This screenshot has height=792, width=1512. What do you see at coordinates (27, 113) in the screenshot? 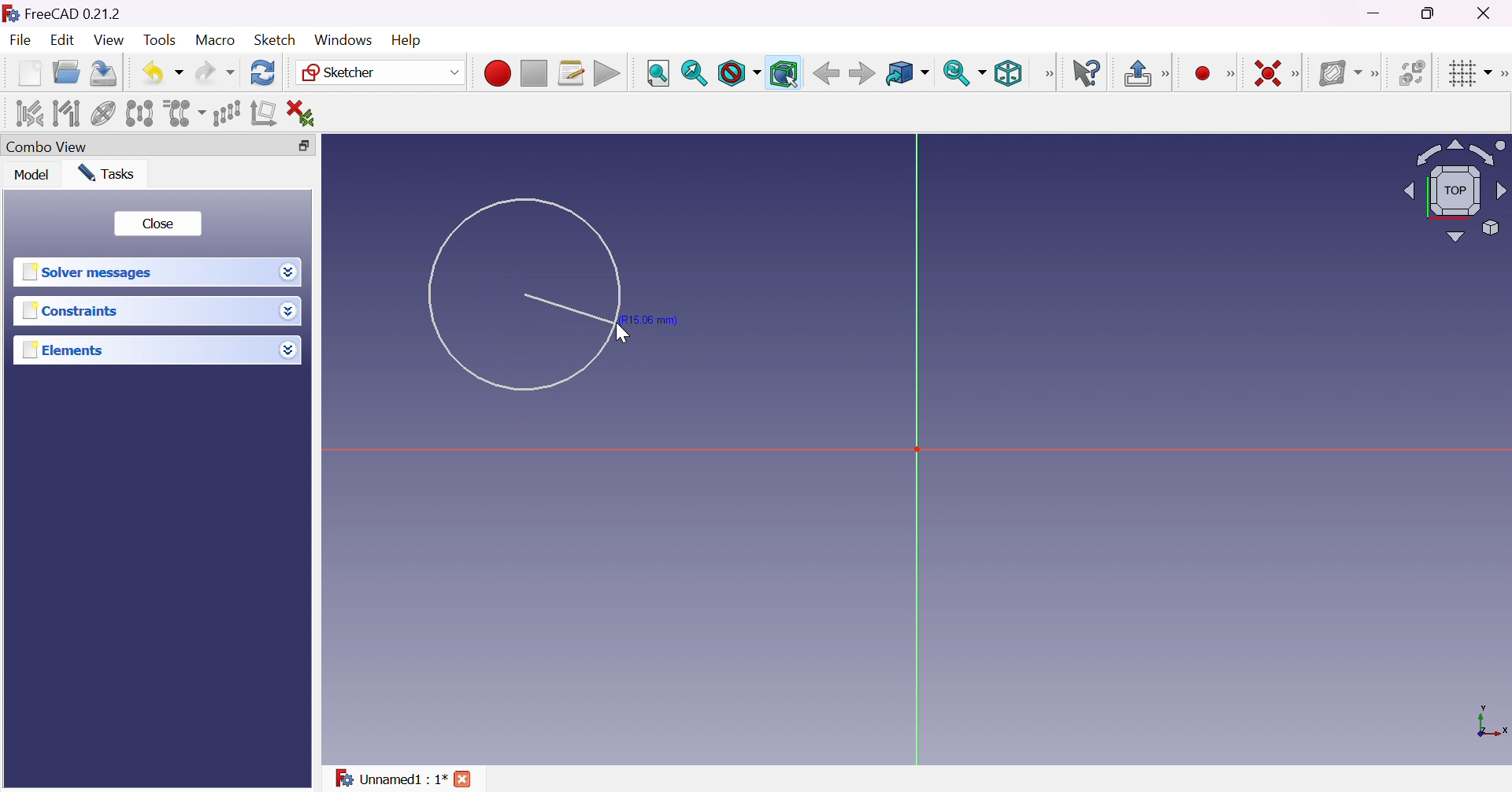
I see `Select associated constraints` at bounding box center [27, 113].